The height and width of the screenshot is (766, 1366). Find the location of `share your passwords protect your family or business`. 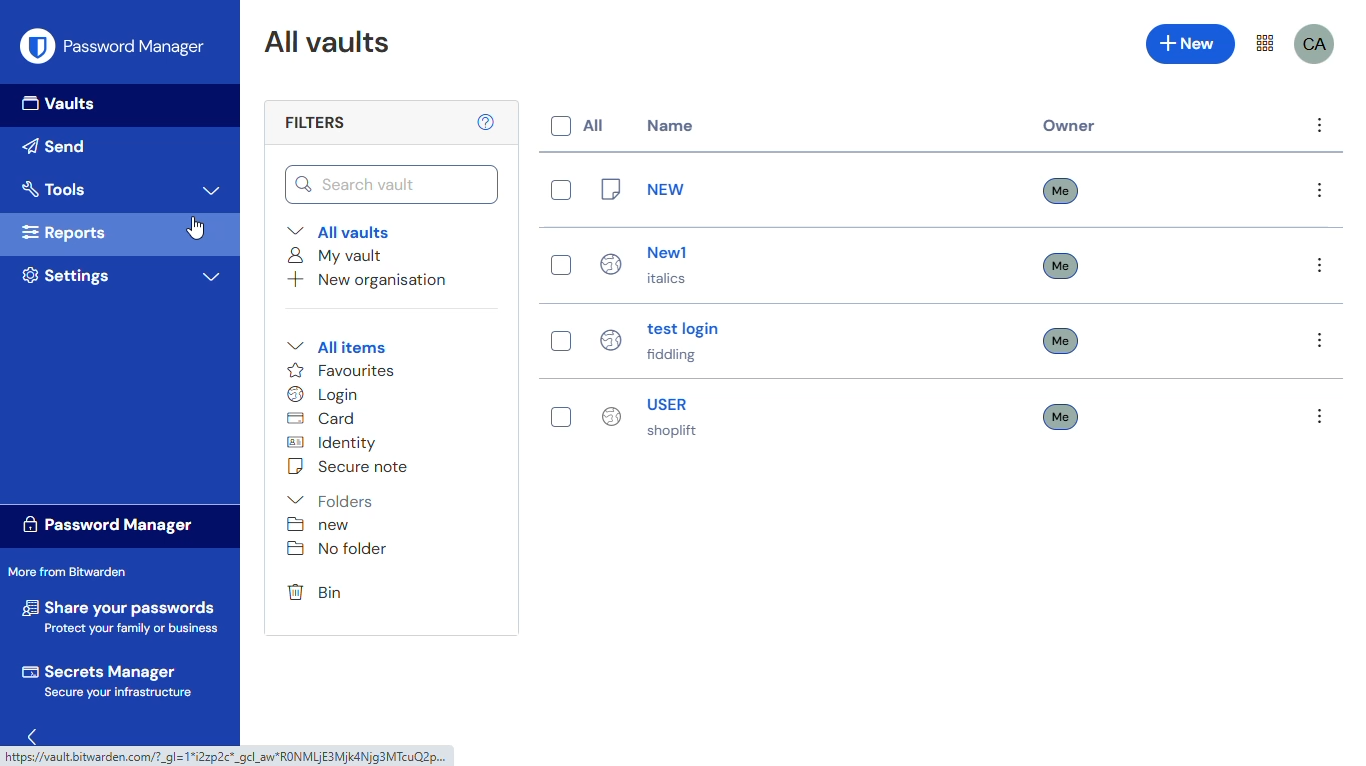

share your passwords protect your family or business is located at coordinates (121, 614).